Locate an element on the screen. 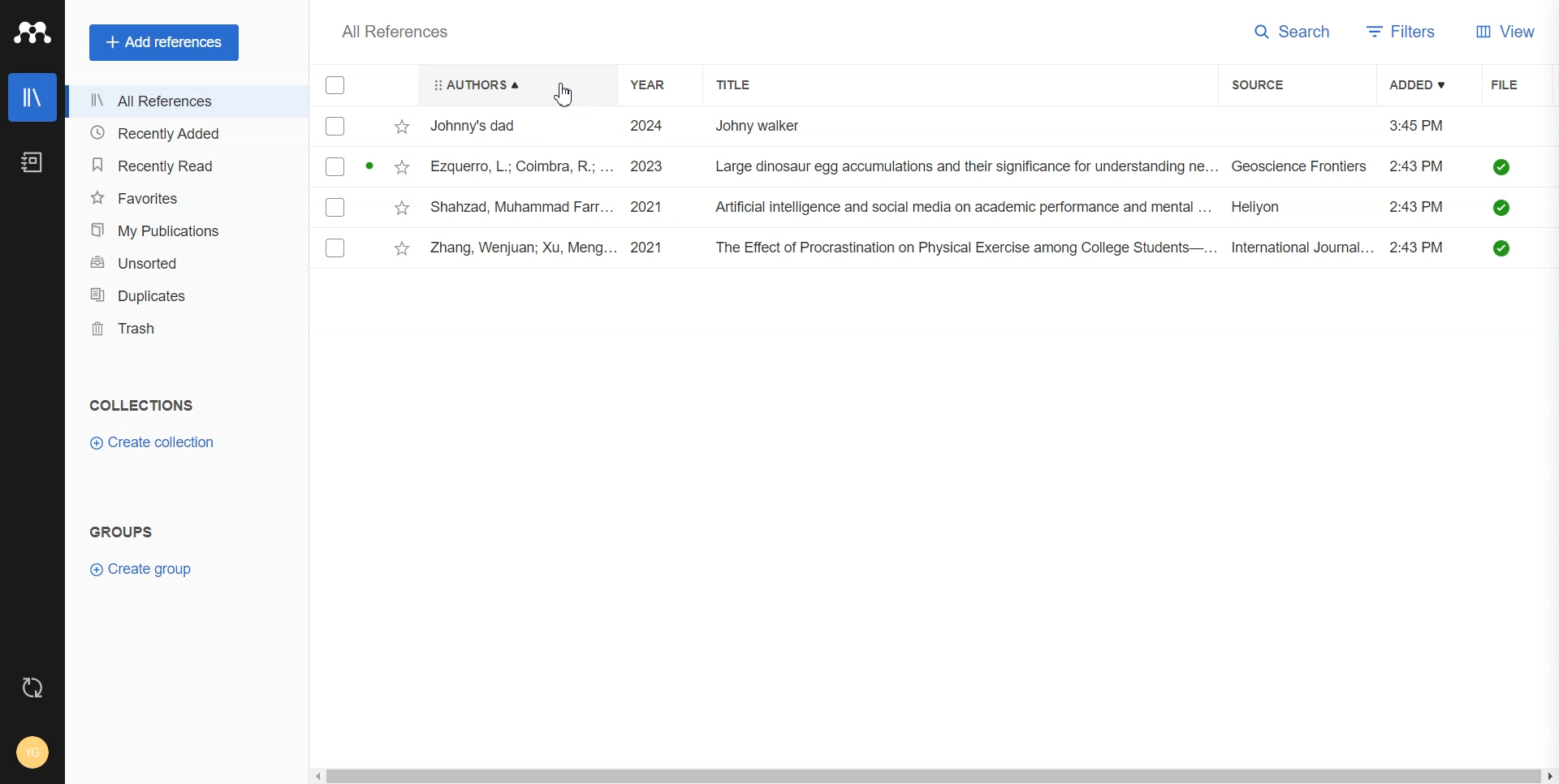 The image size is (1559, 784). 2023 is located at coordinates (645, 166).